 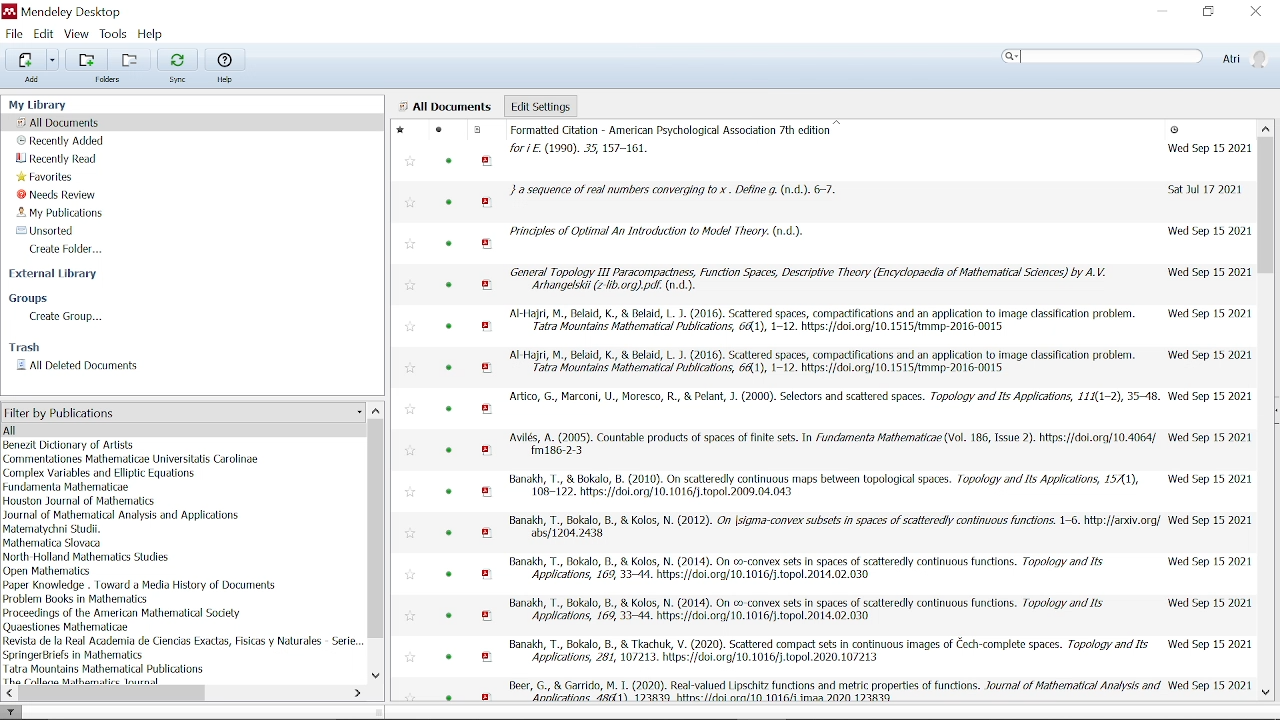 What do you see at coordinates (410, 574) in the screenshot?
I see `favourite` at bounding box center [410, 574].